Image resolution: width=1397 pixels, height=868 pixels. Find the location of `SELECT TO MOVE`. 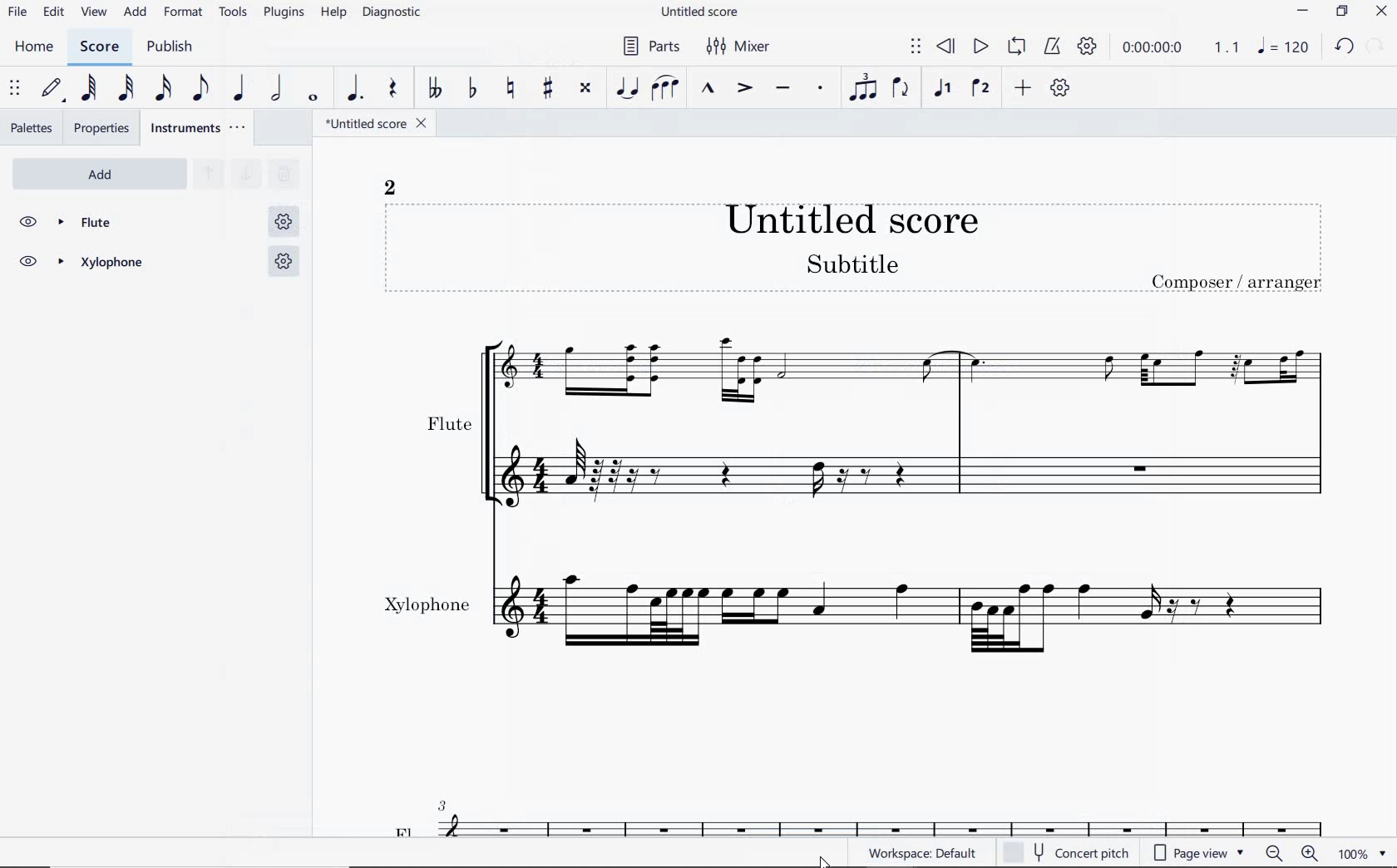

SELECT TO MOVE is located at coordinates (15, 89).